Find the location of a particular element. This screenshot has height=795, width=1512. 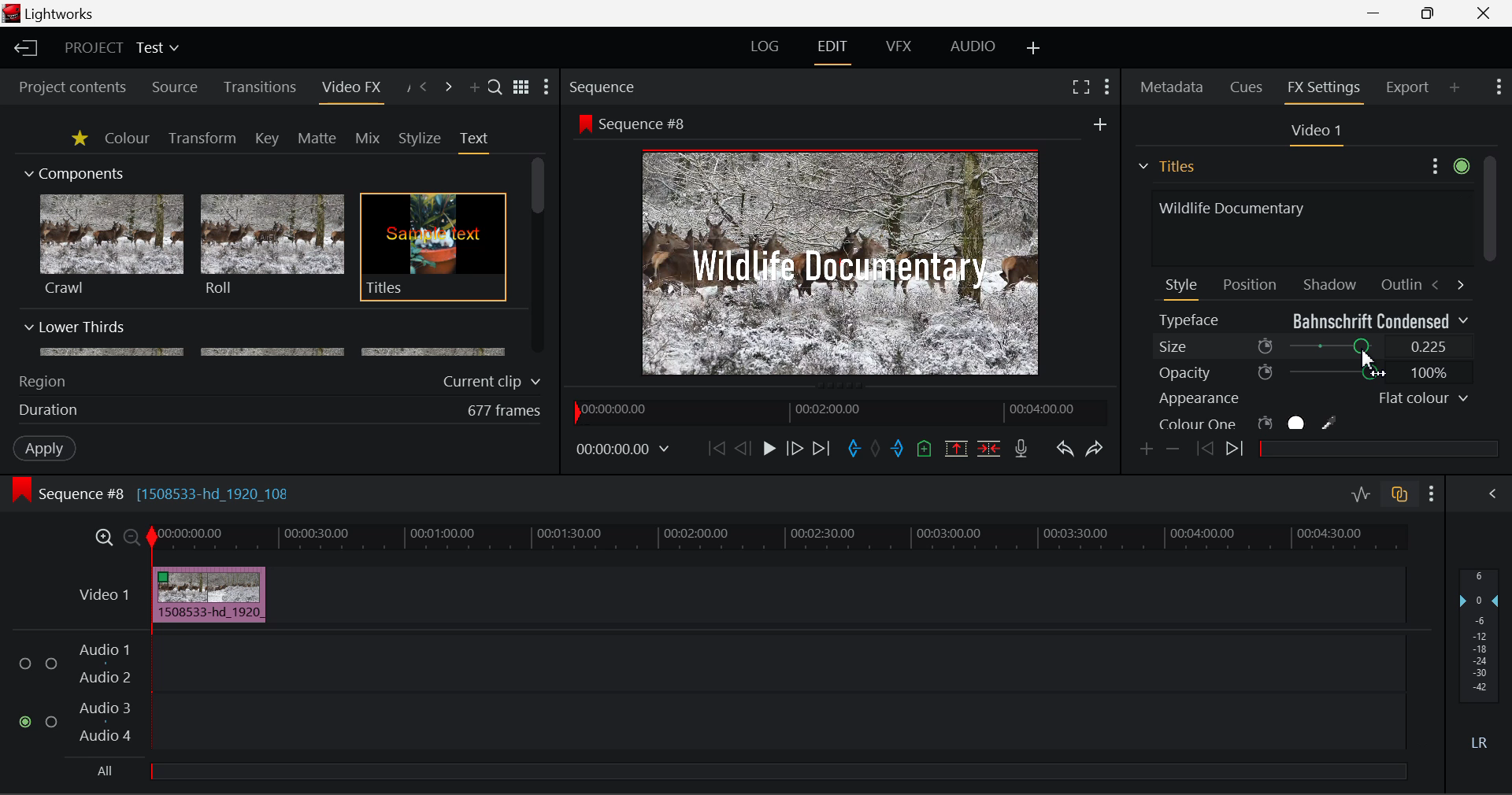

Titles Section is located at coordinates (1166, 166).